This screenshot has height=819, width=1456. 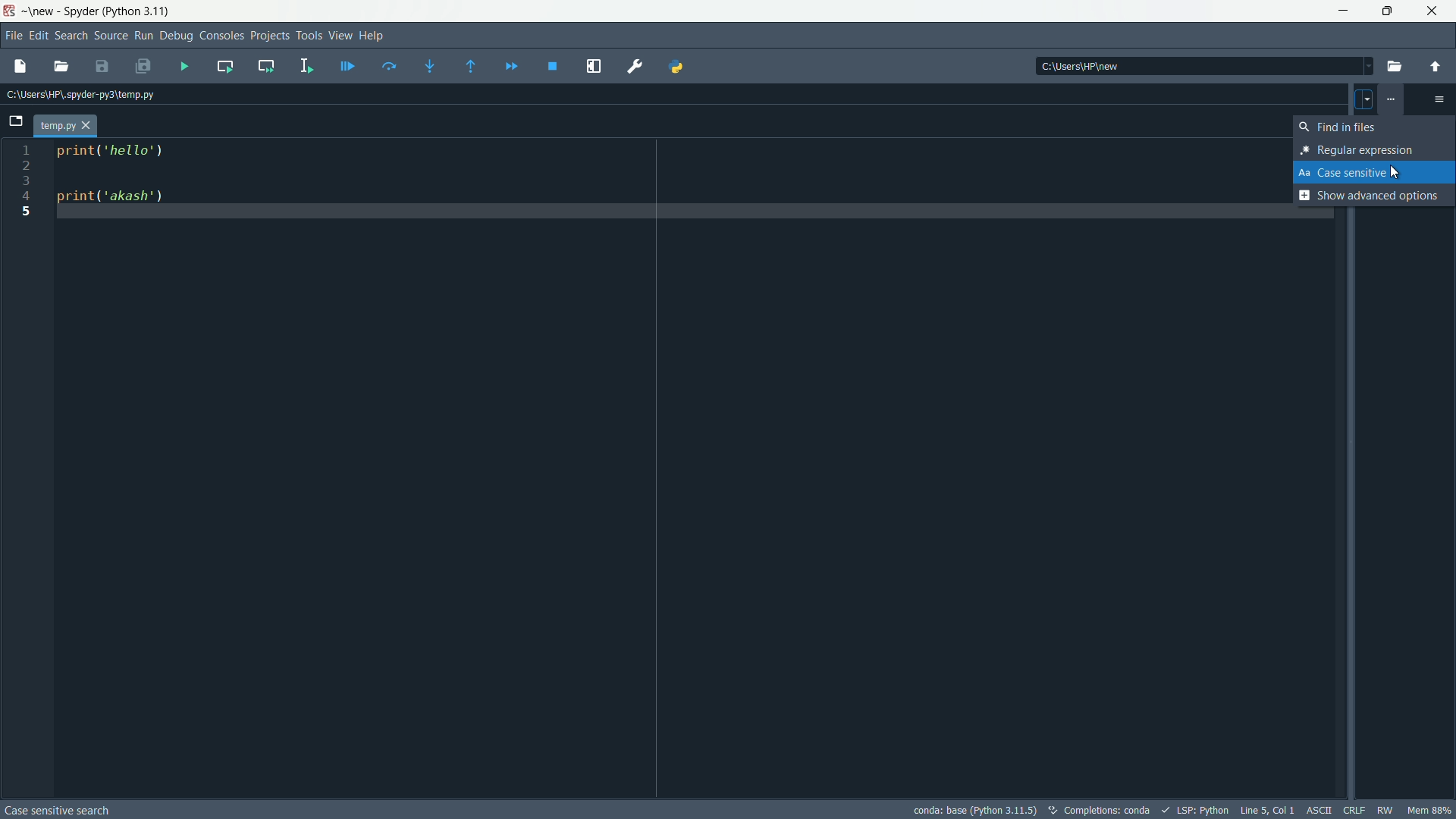 I want to click on Debug Menu, so click(x=175, y=37).